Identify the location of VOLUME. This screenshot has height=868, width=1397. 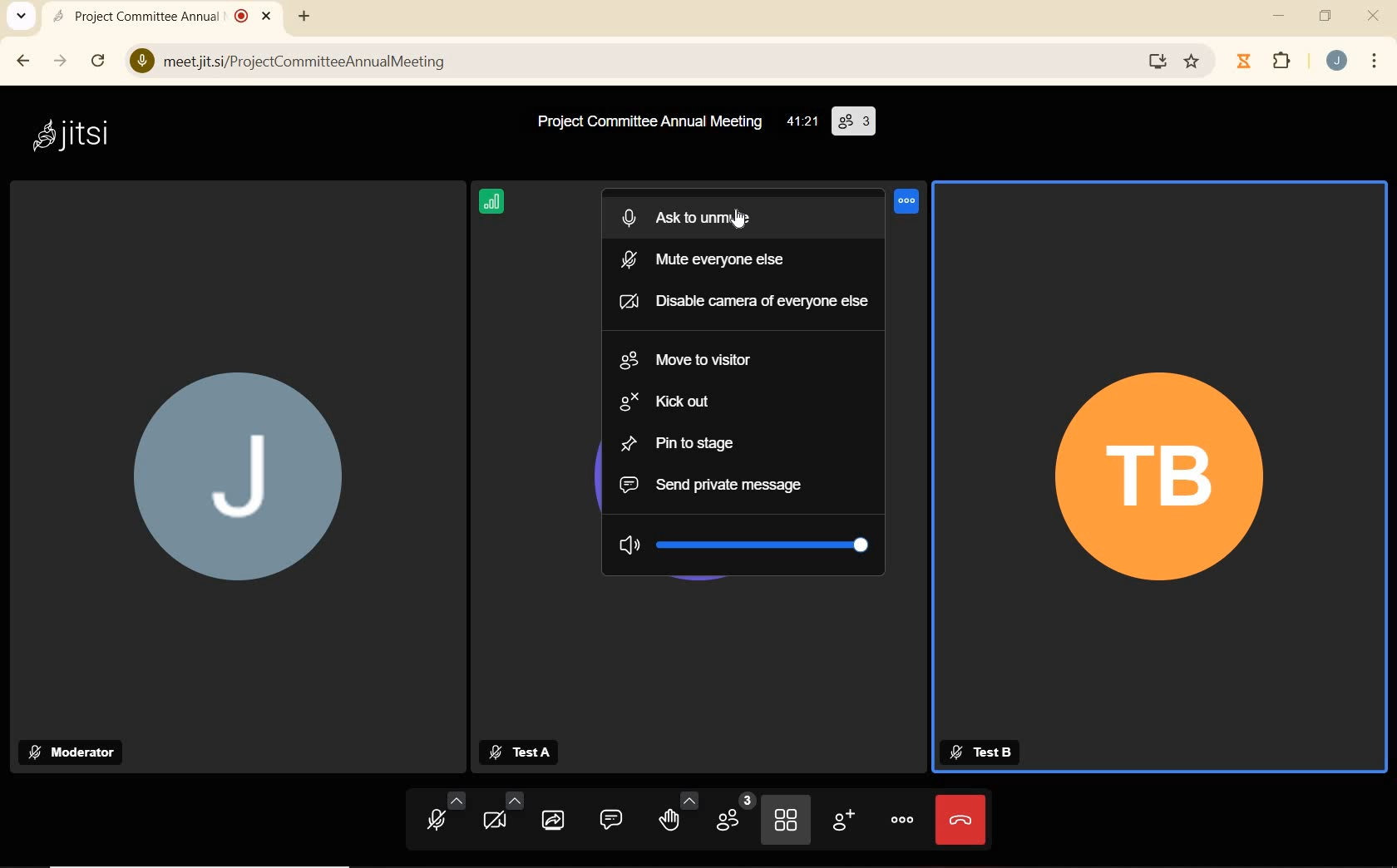
(745, 542).